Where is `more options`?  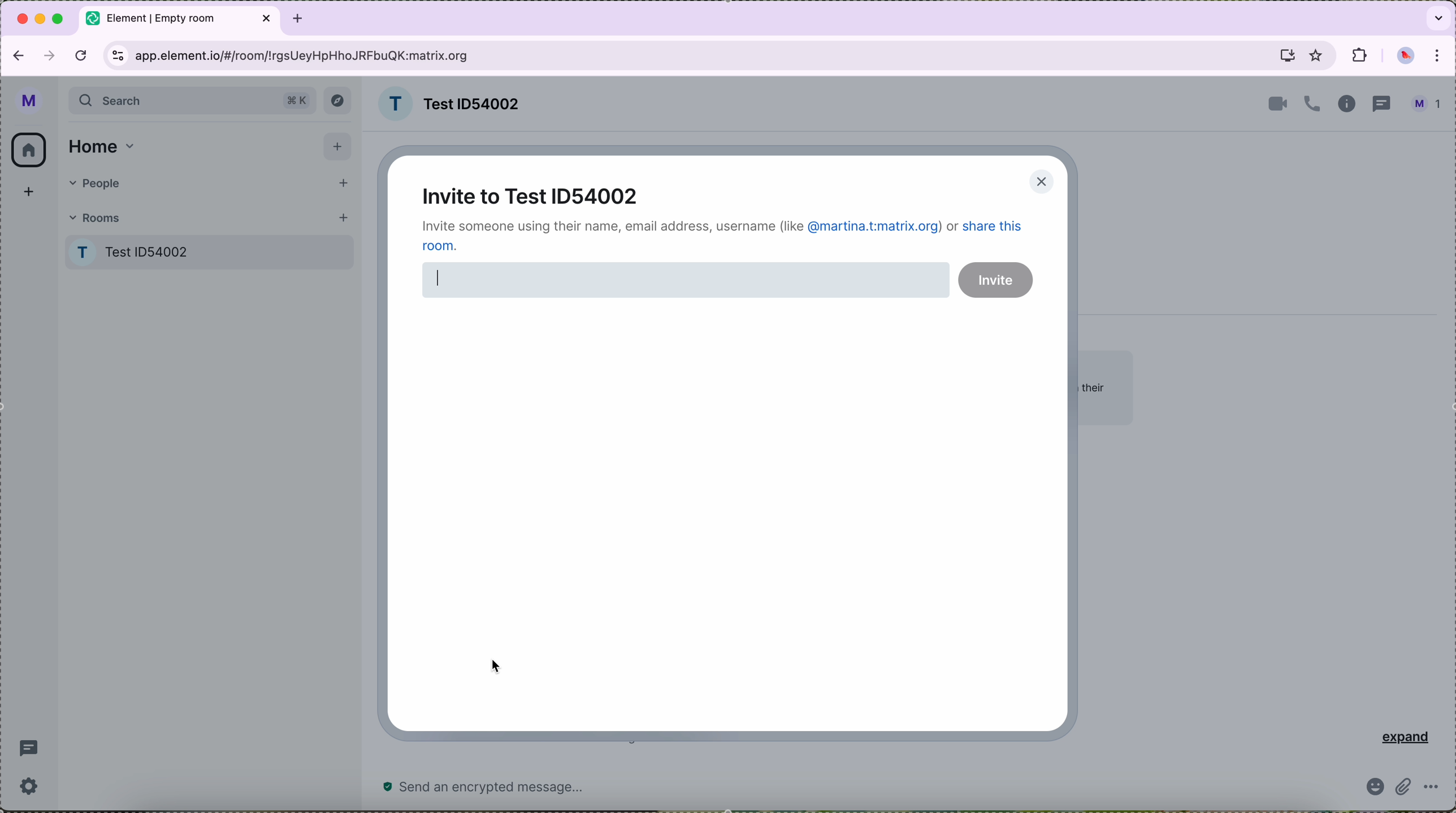
more options is located at coordinates (1432, 788).